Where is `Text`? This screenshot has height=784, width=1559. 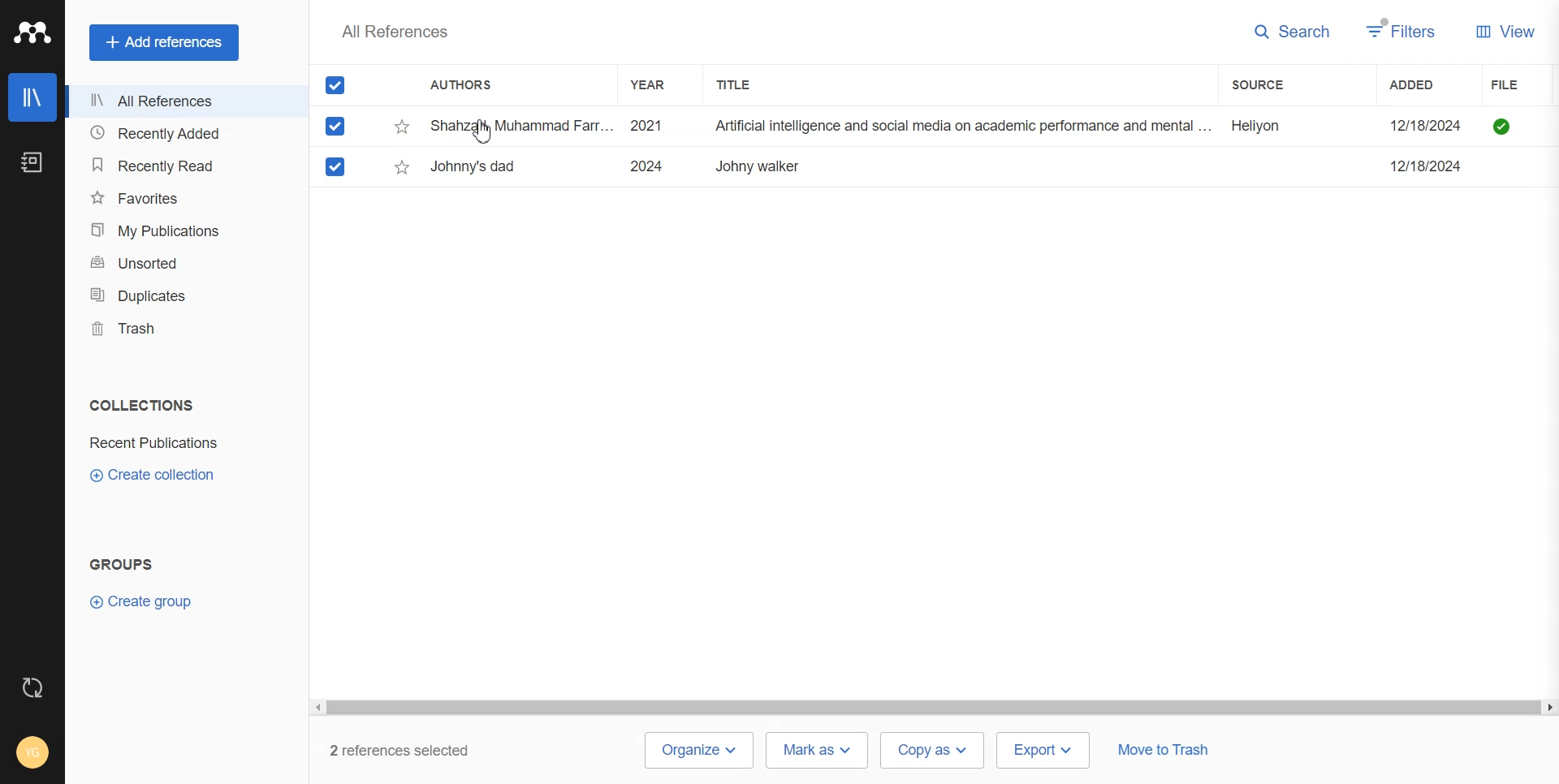 Text is located at coordinates (394, 31).